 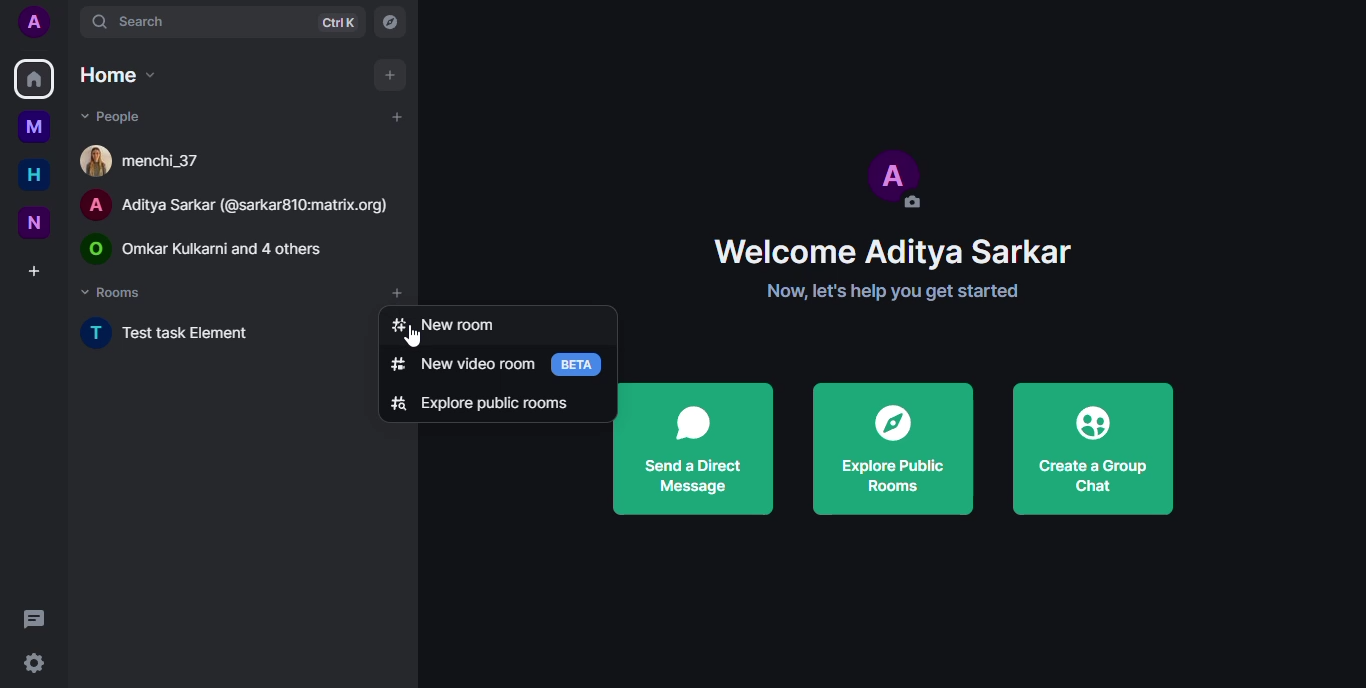 I want to click on , so click(x=362, y=291).